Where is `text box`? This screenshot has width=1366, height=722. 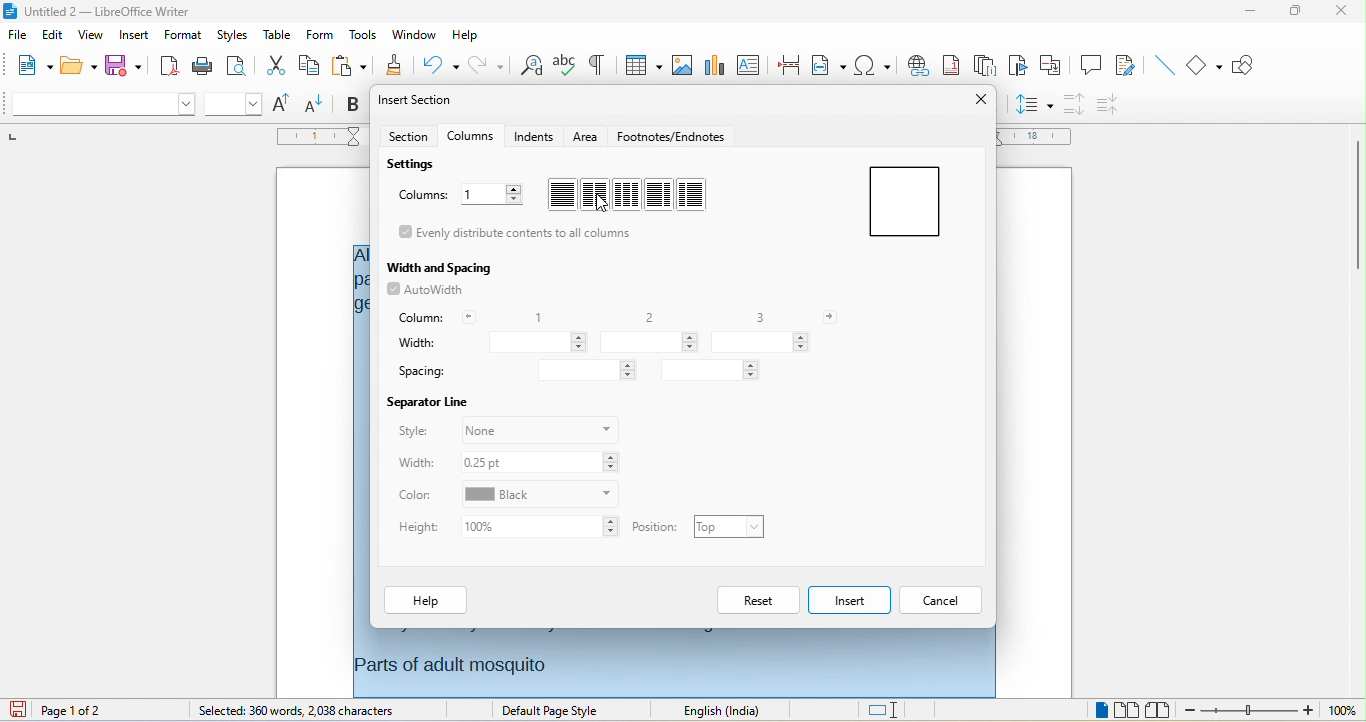
text box is located at coordinates (749, 63).